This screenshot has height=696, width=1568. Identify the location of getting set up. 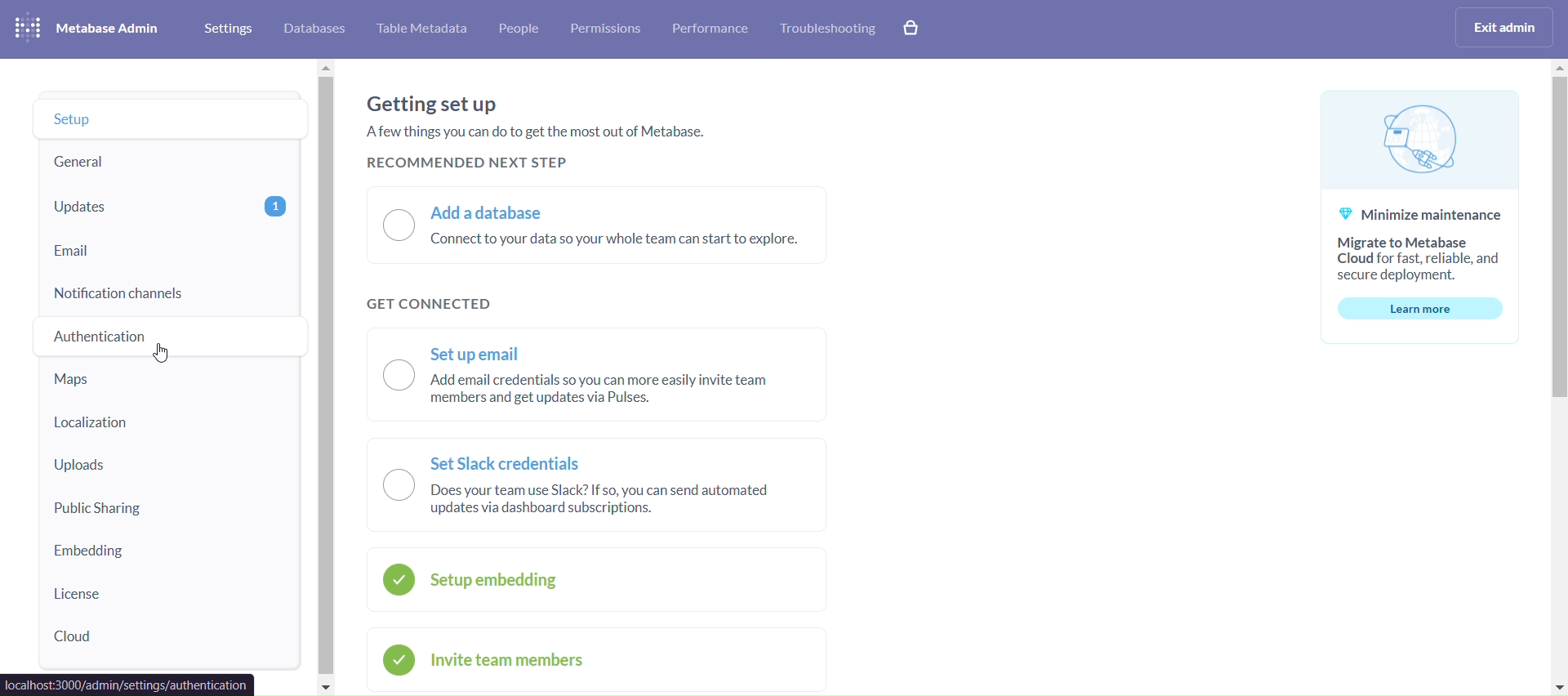
(541, 132).